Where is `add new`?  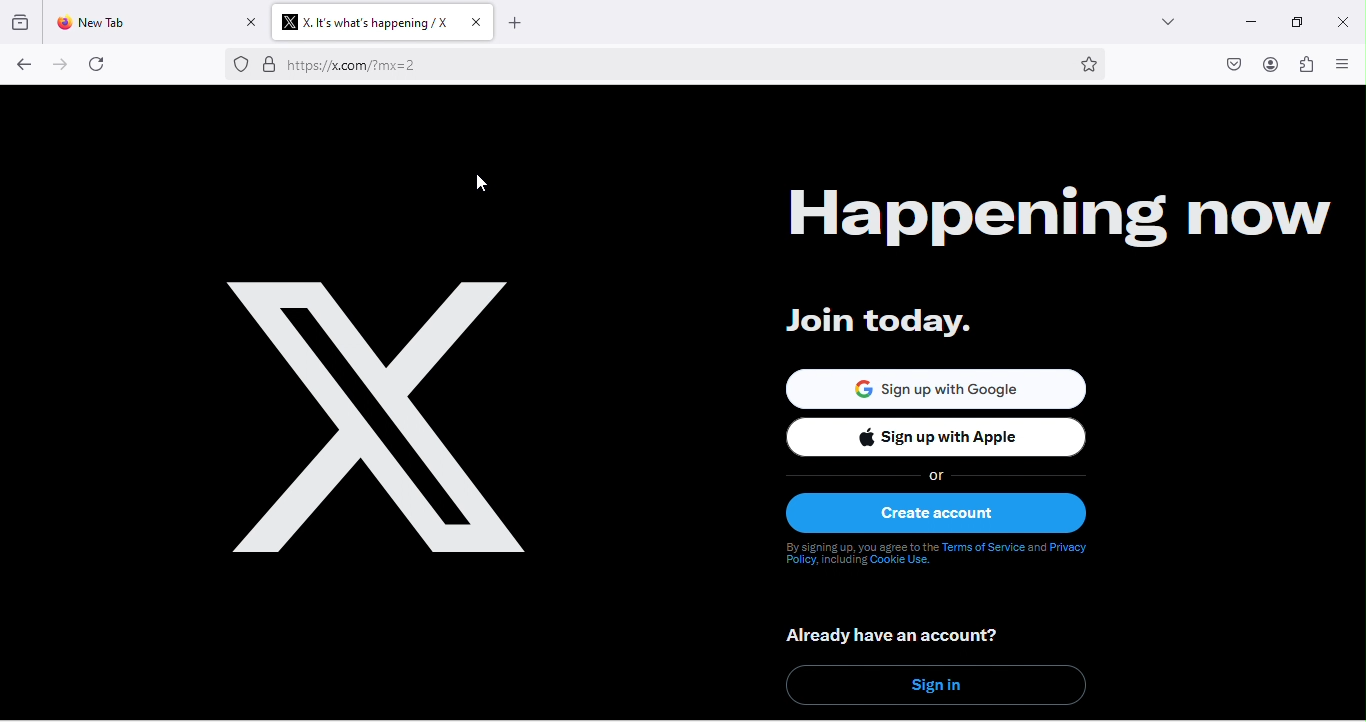
add new is located at coordinates (518, 23).